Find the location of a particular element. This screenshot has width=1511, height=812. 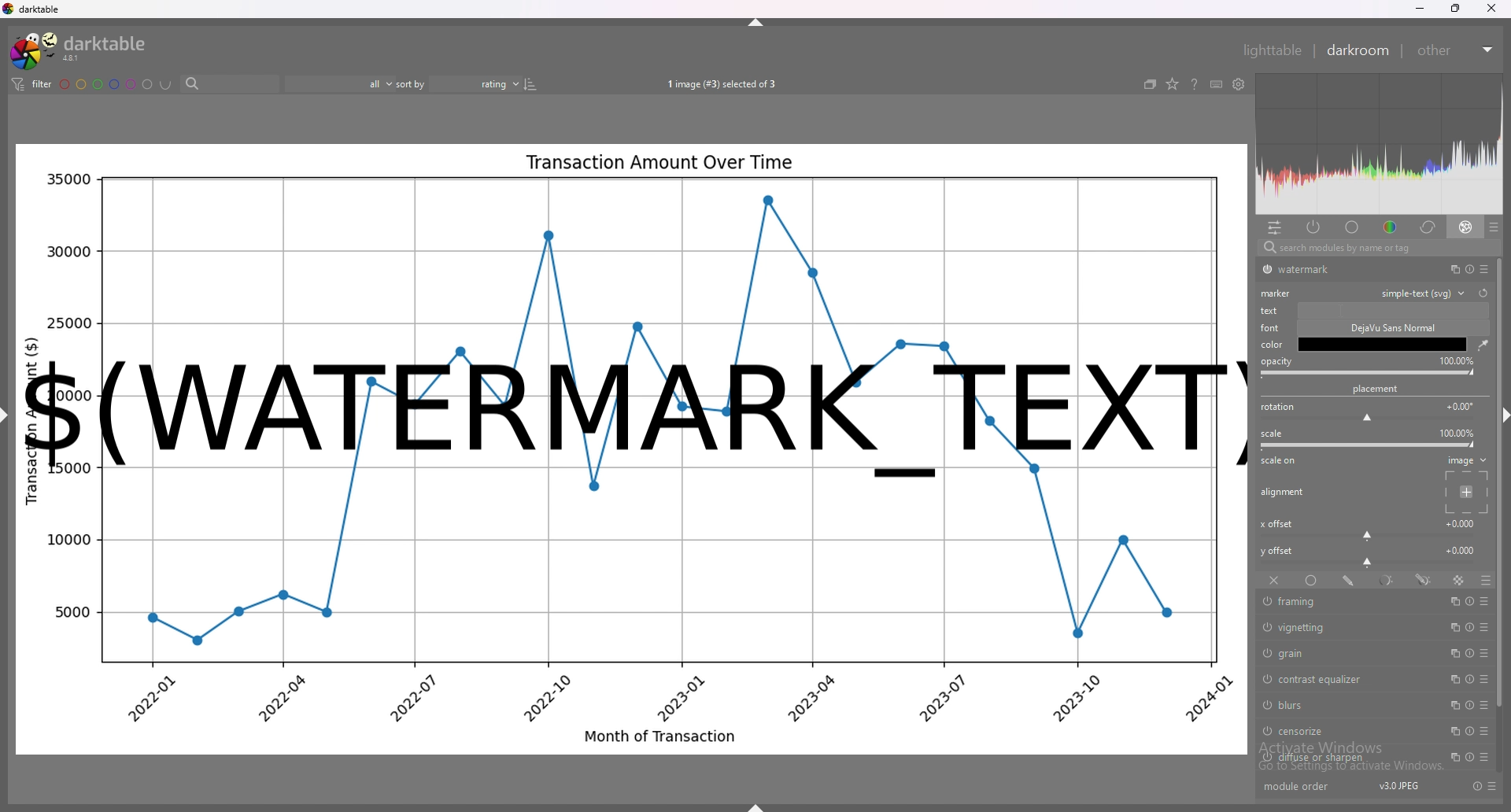

switch off is located at coordinates (1267, 627).